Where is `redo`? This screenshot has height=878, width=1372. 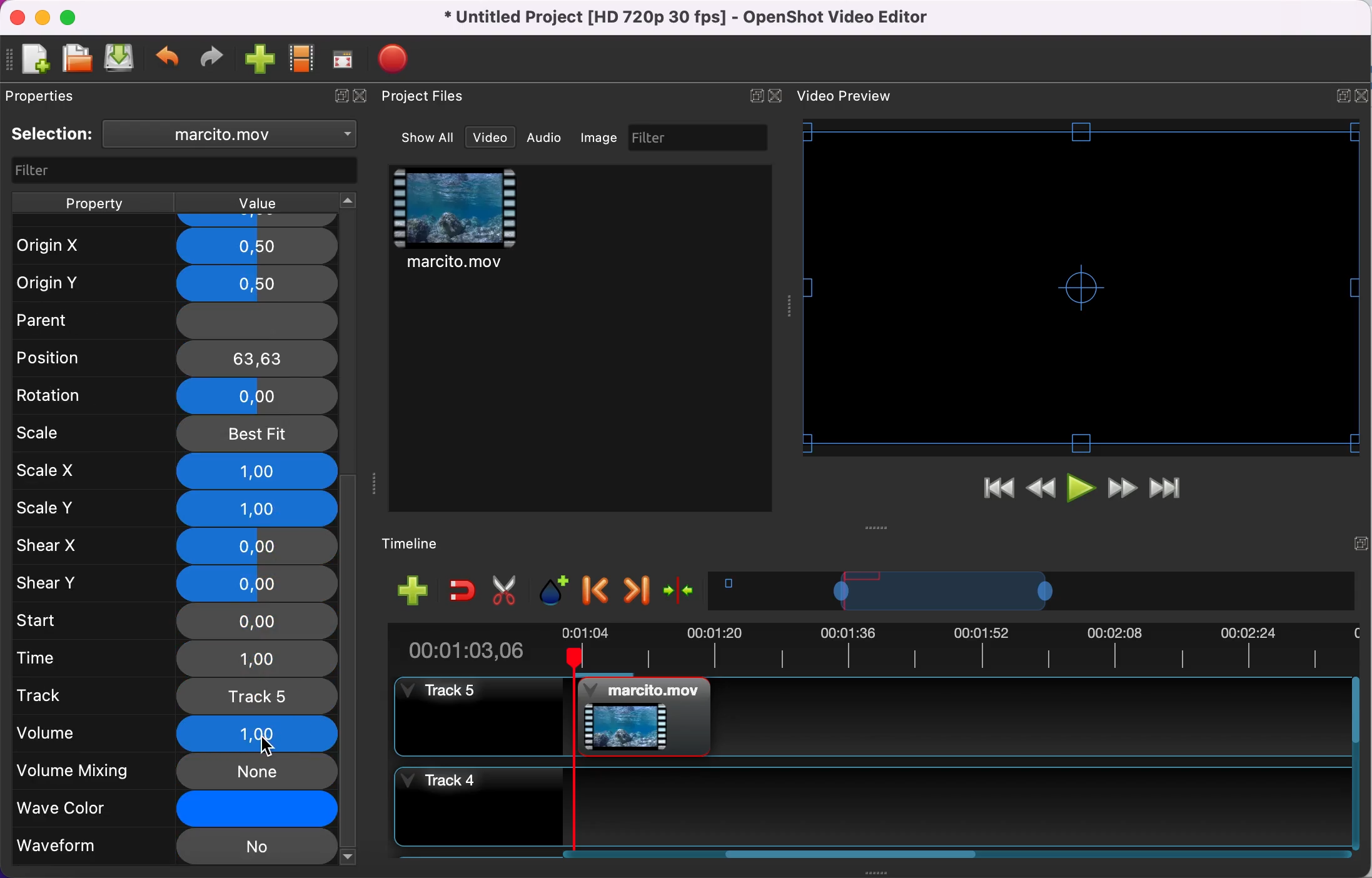 redo is located at coordinates (212, 58).